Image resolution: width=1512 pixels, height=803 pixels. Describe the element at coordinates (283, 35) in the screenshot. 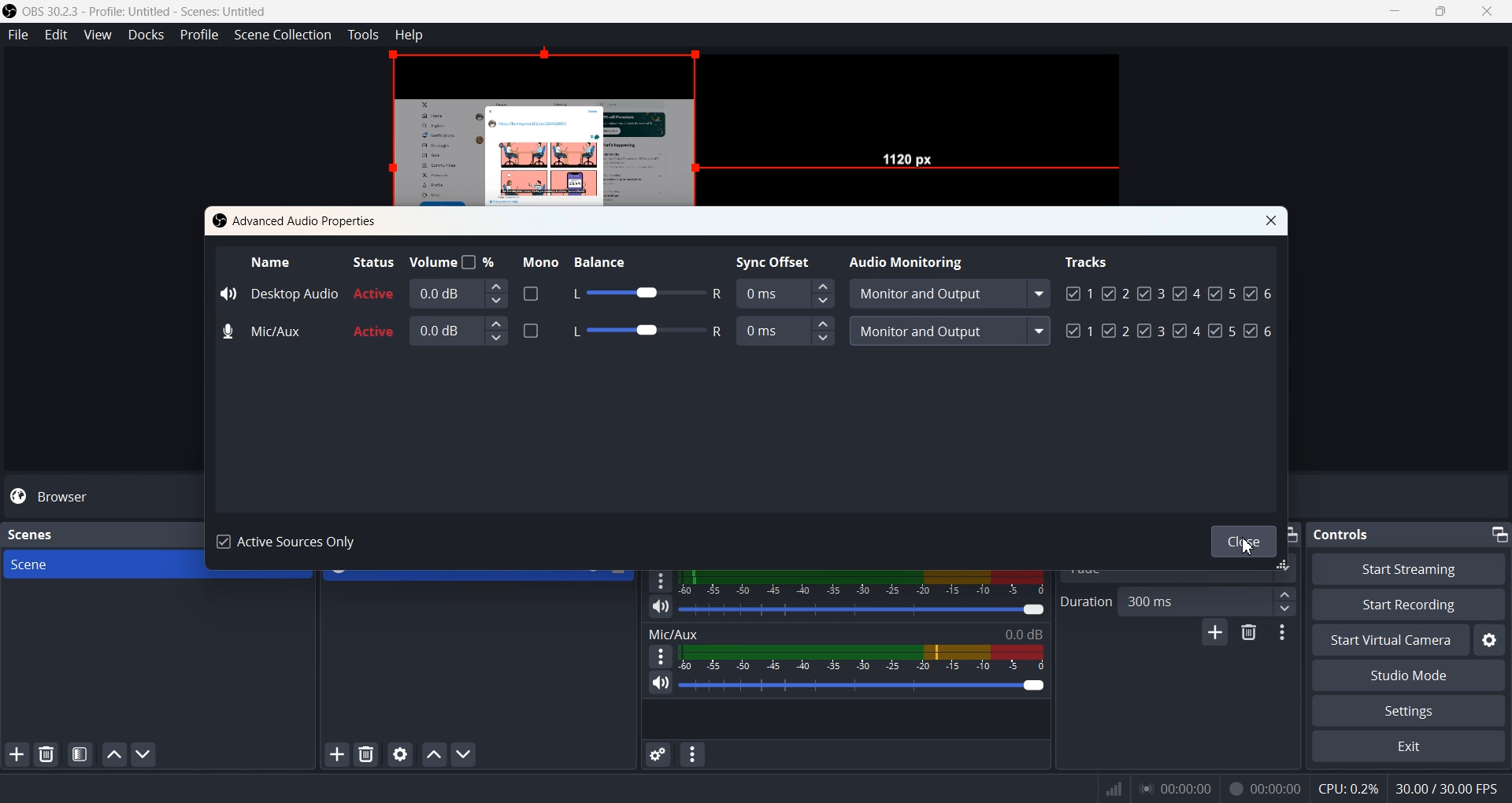

I see `Scene Collection` at that location.